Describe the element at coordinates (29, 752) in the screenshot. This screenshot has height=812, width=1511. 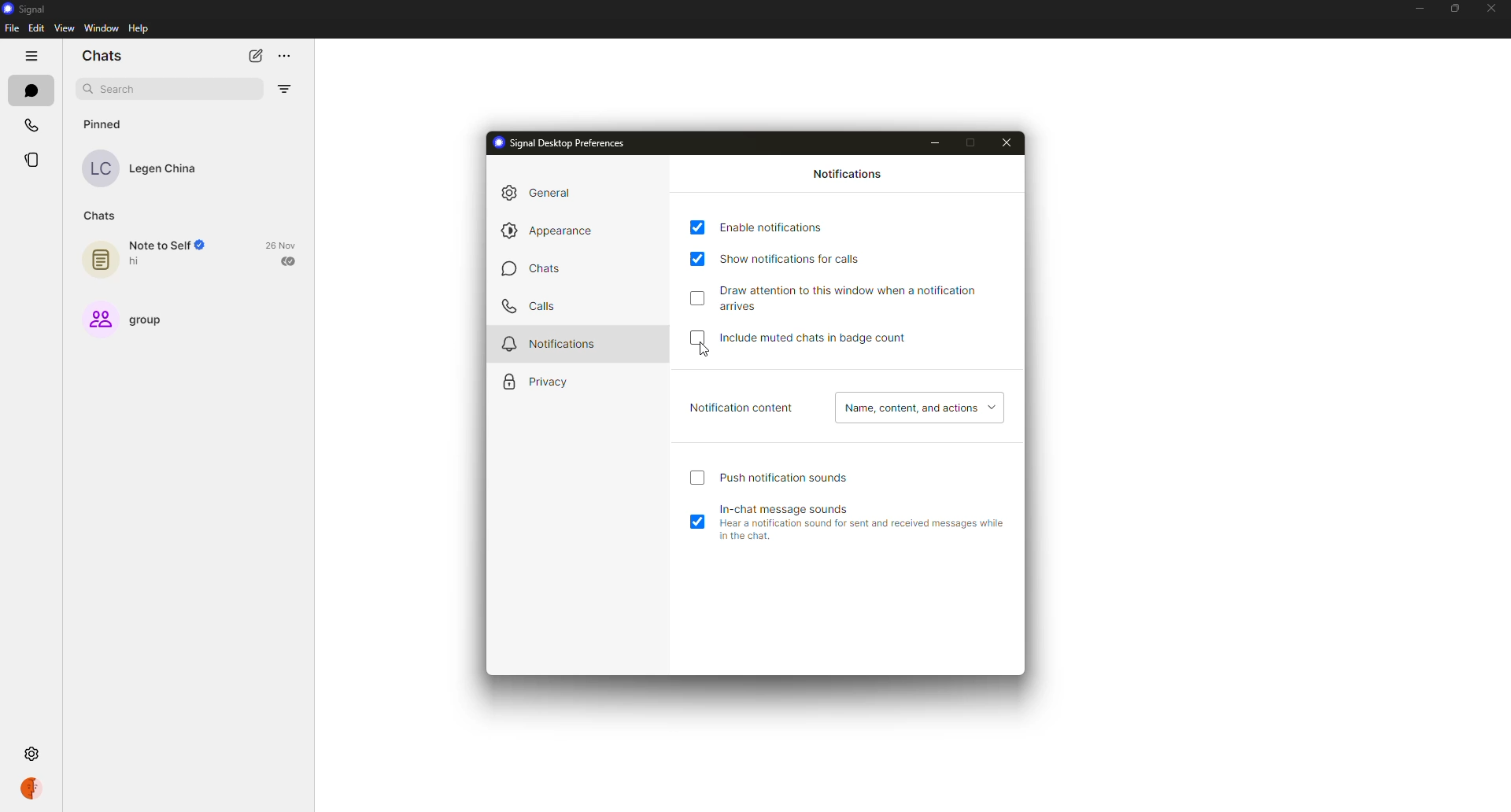
I see `settings` at that location.